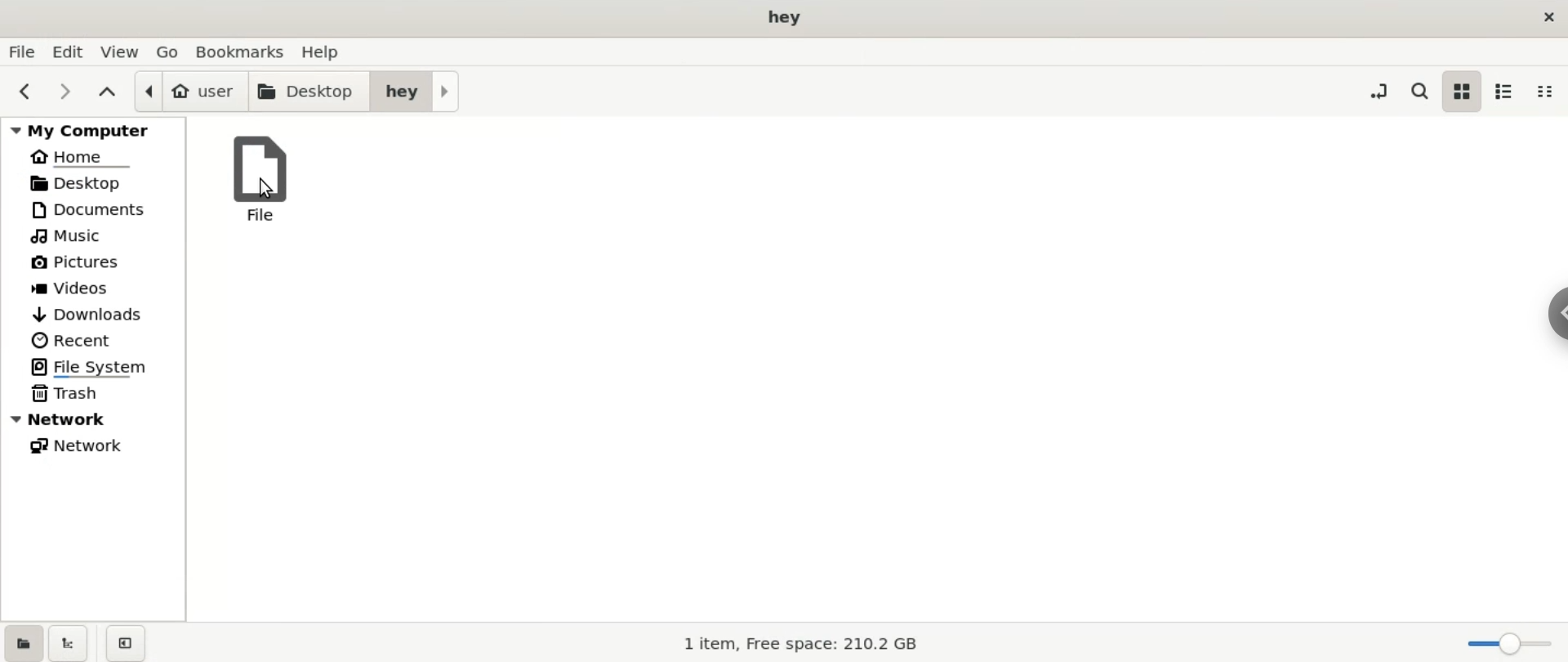 The width and height of the screenshot is (1568, 662). I want to click on go, so click(172, 52).